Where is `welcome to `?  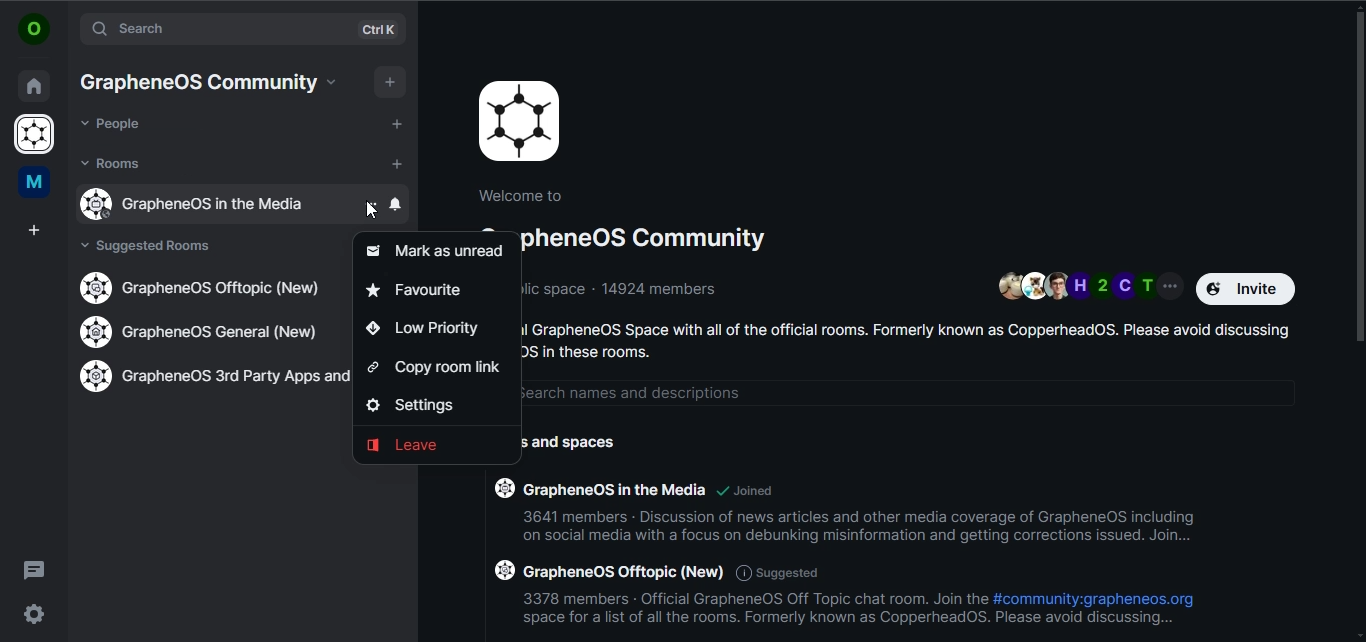
welcome to  is located at coordinates (525, 195).